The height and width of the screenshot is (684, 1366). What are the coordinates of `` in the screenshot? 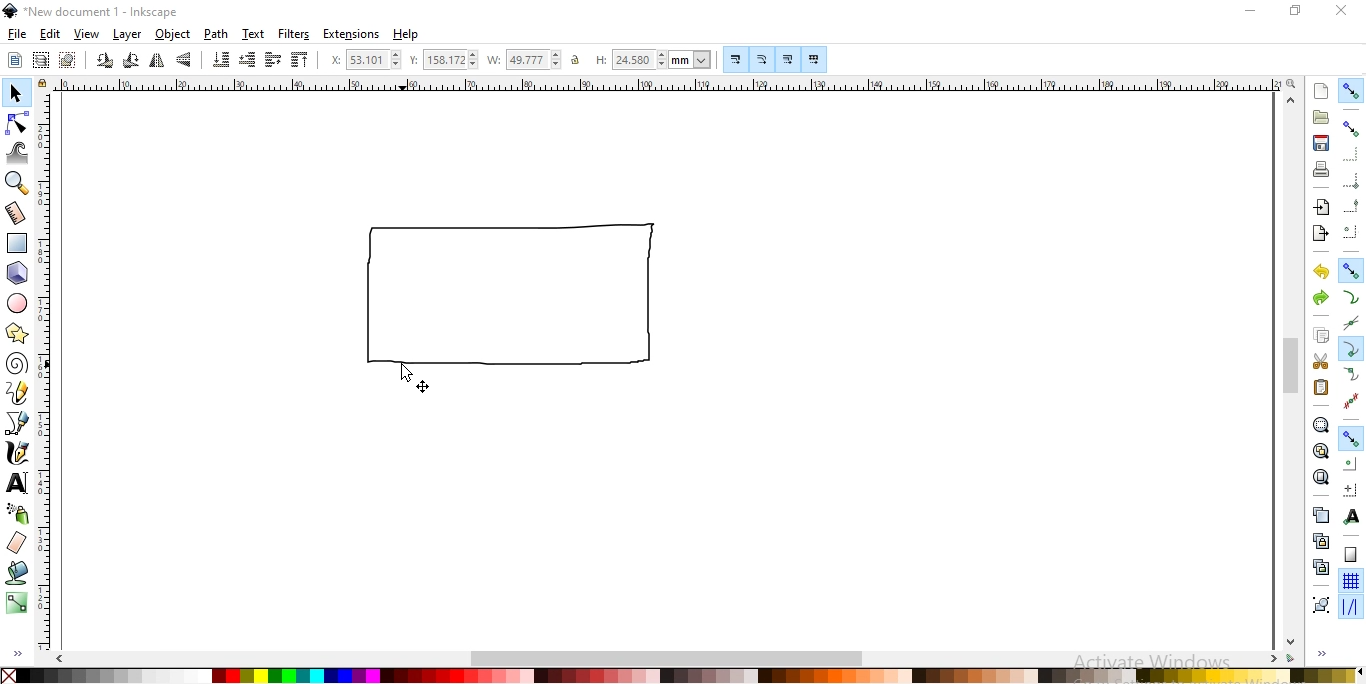 It's located at (737, 62).